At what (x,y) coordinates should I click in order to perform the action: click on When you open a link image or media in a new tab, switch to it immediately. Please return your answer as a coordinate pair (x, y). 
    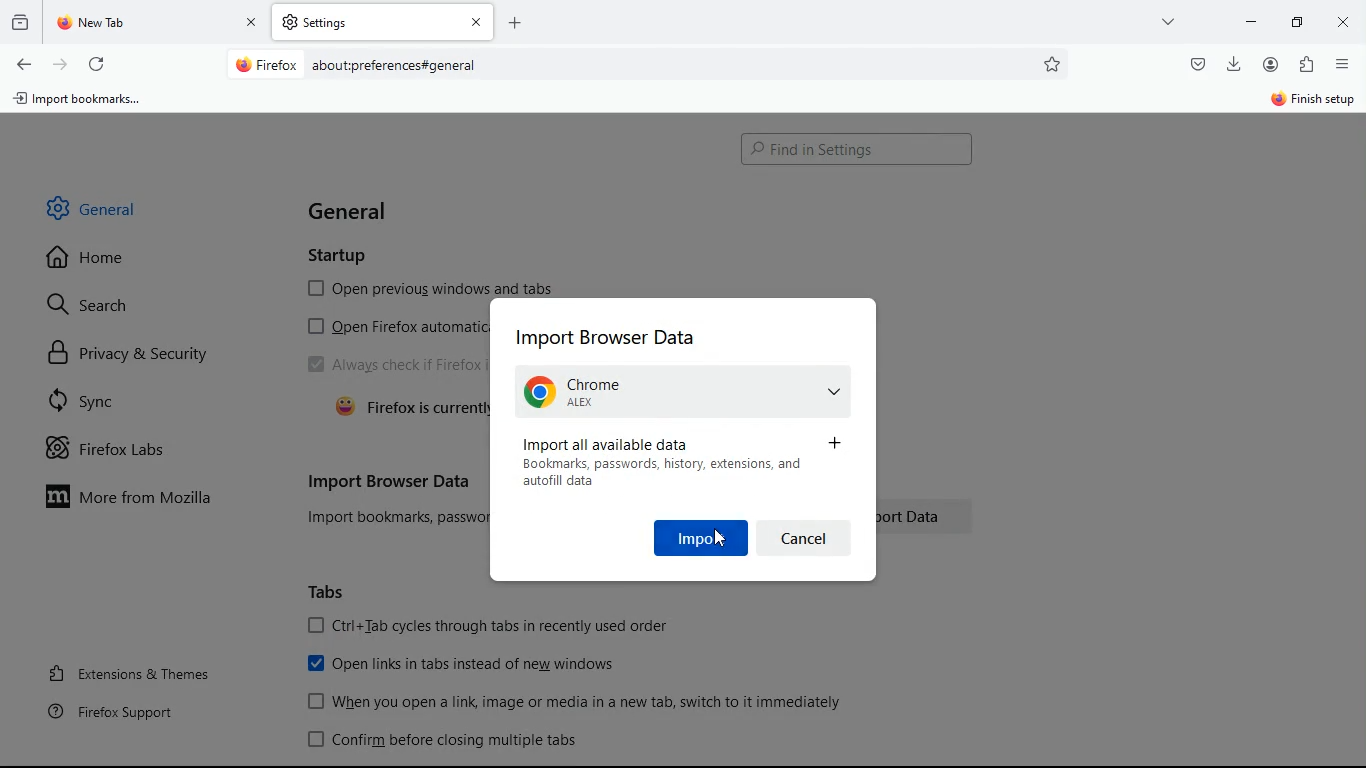
    Looking at the image, I should click on (579, 702).